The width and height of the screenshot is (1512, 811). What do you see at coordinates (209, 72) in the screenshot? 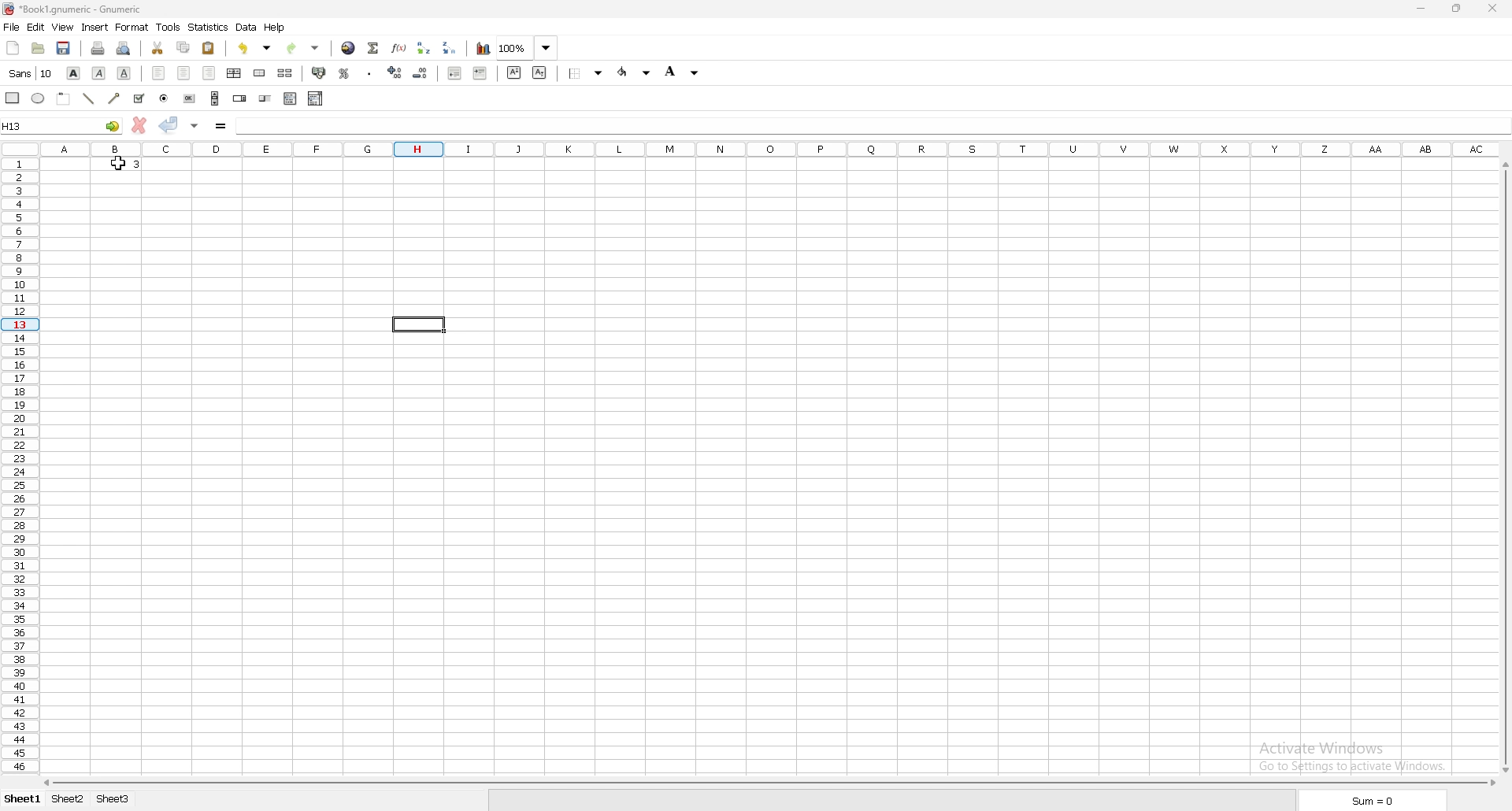
I see `right indent` at bounding box center [209, 72].